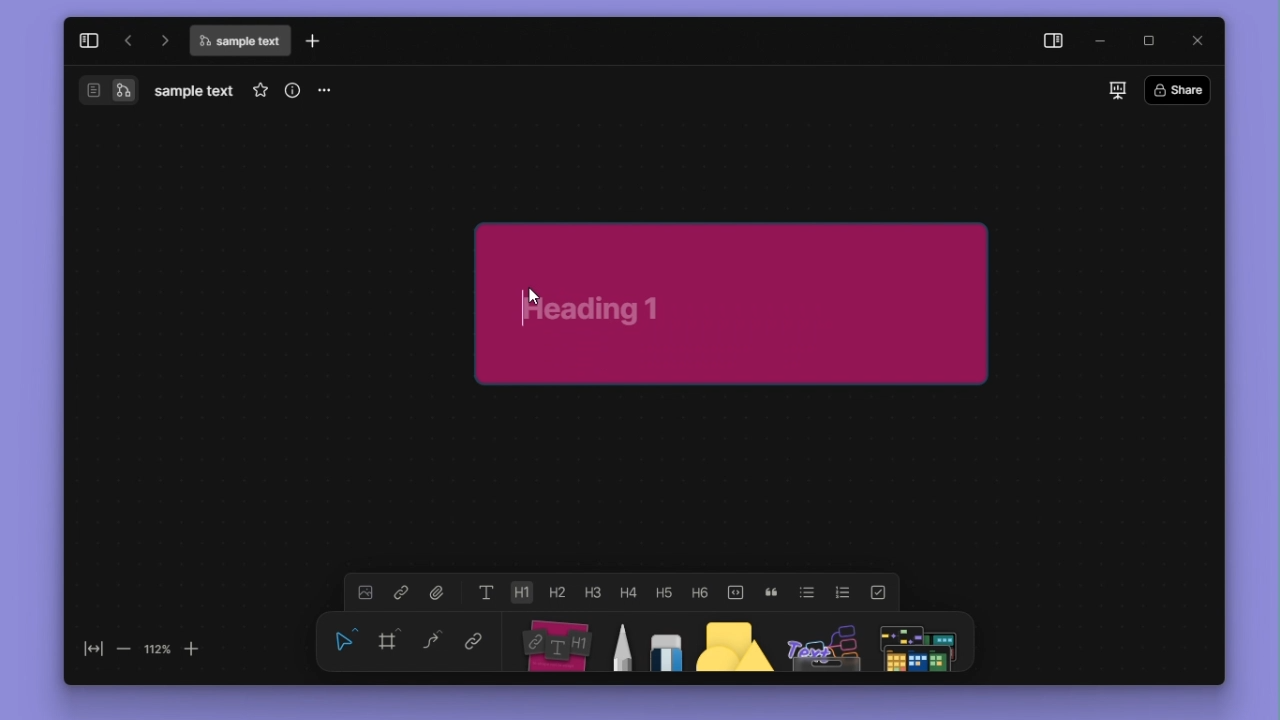 The width and height of the screenshot is (1280, 720). I want to click on to do list, so click(878, 593).